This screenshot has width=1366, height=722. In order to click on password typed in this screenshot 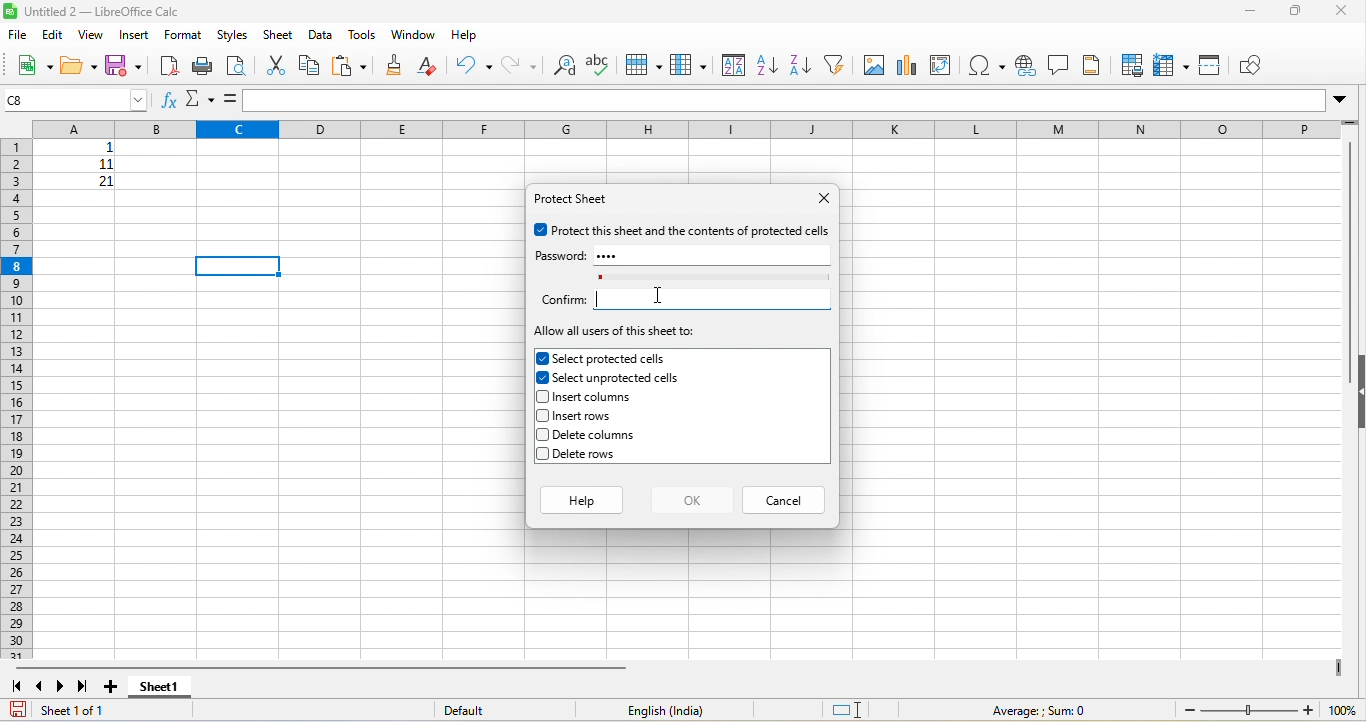, I will do `click(612, 255)`.